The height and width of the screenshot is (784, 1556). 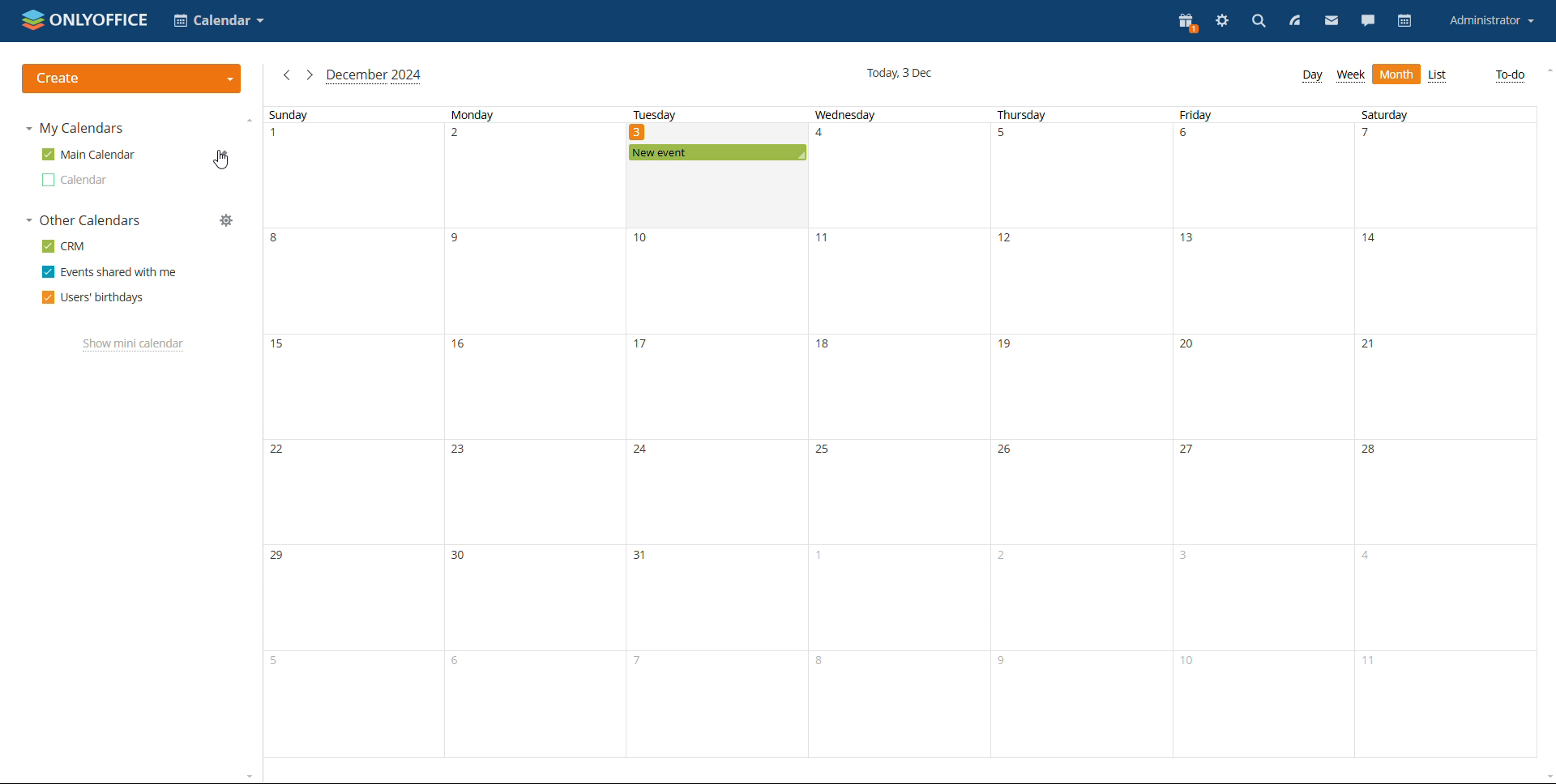 What do you see at coordinates (1079, 705) in the screenshot?
I see `fsyr` at bounding box center [1079, 705].